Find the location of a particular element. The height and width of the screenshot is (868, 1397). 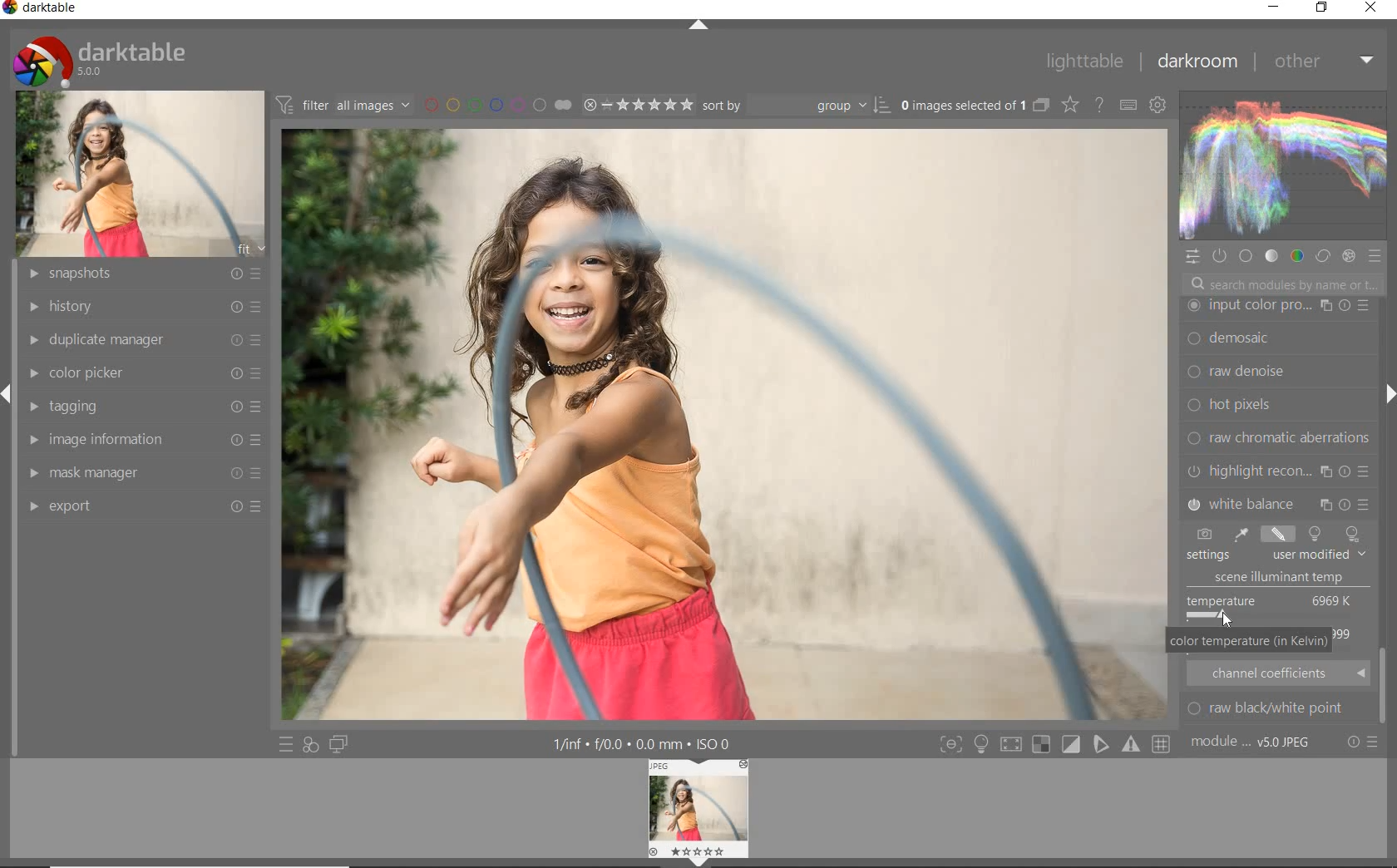

toggle mode  is located at coordinates (1071, 744).